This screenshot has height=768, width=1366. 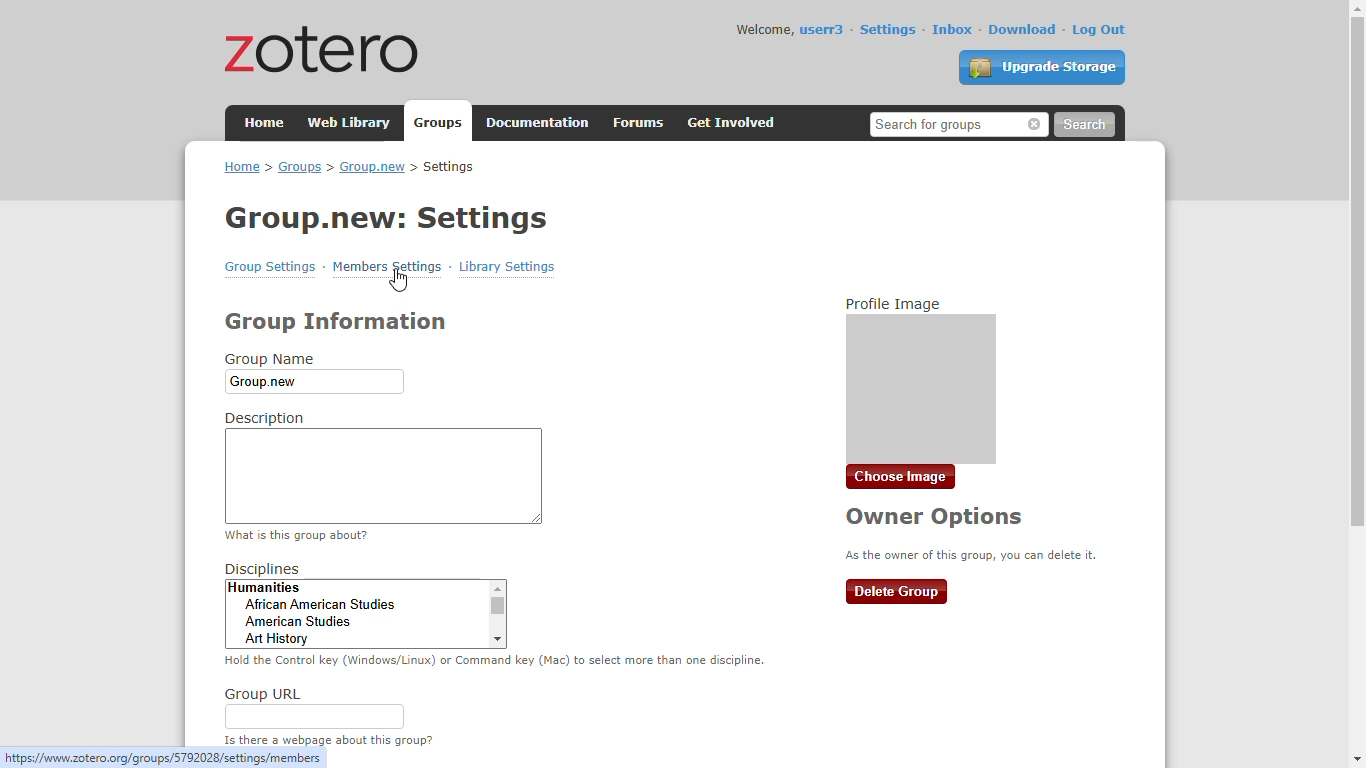 What do you see at coordinates (538, 123) in the screenshot?
I see `documentation` at bounding box center [538, 123].